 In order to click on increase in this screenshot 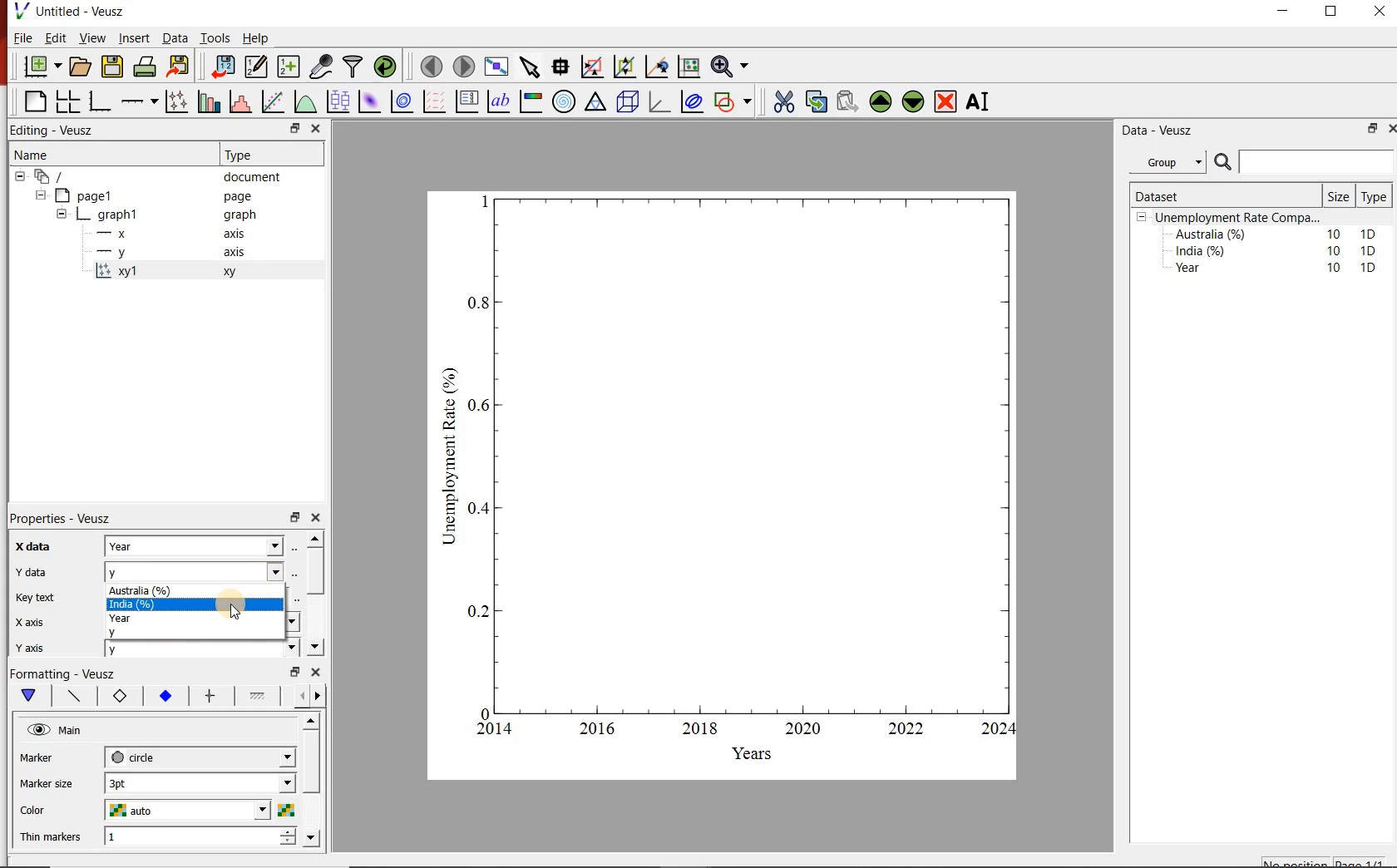, I will do `click(290, 831)`.